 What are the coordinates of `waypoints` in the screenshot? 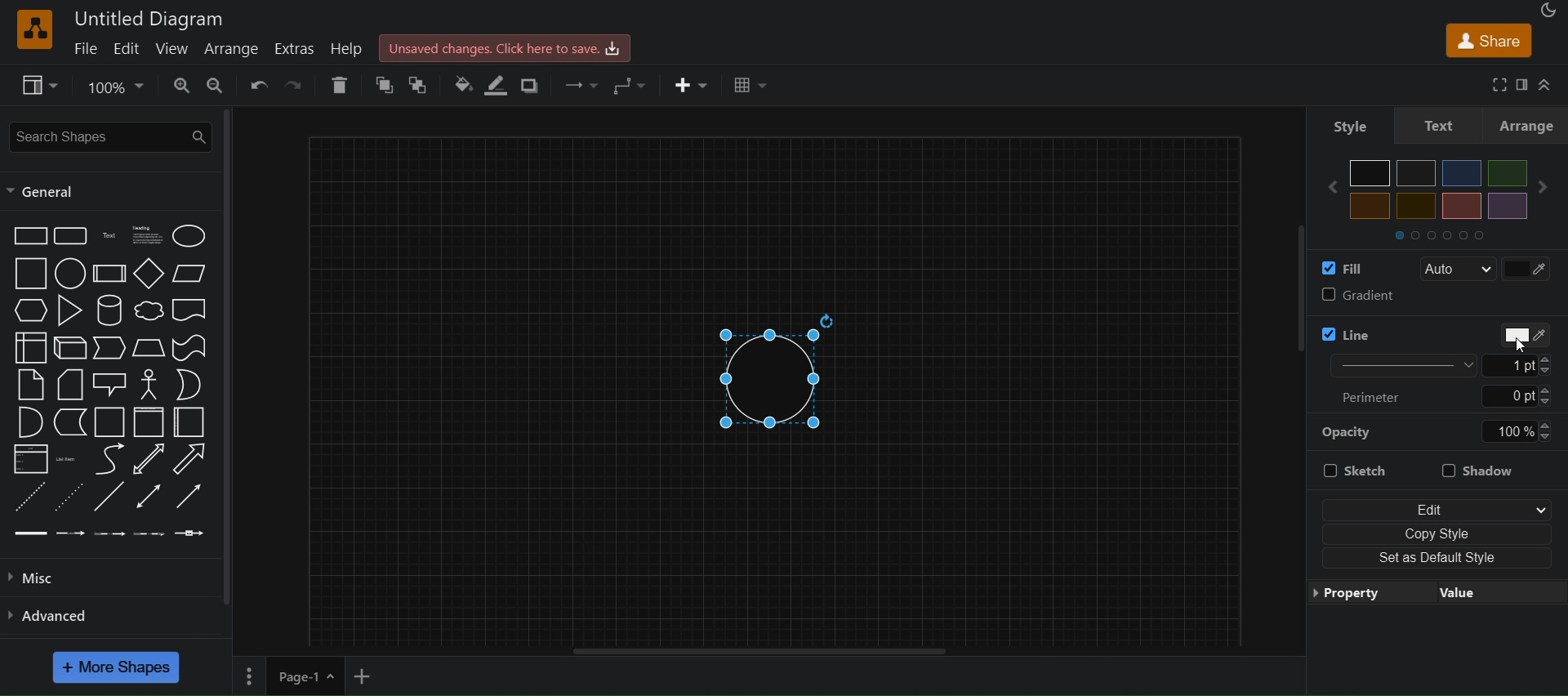 It's located at (630, 85).